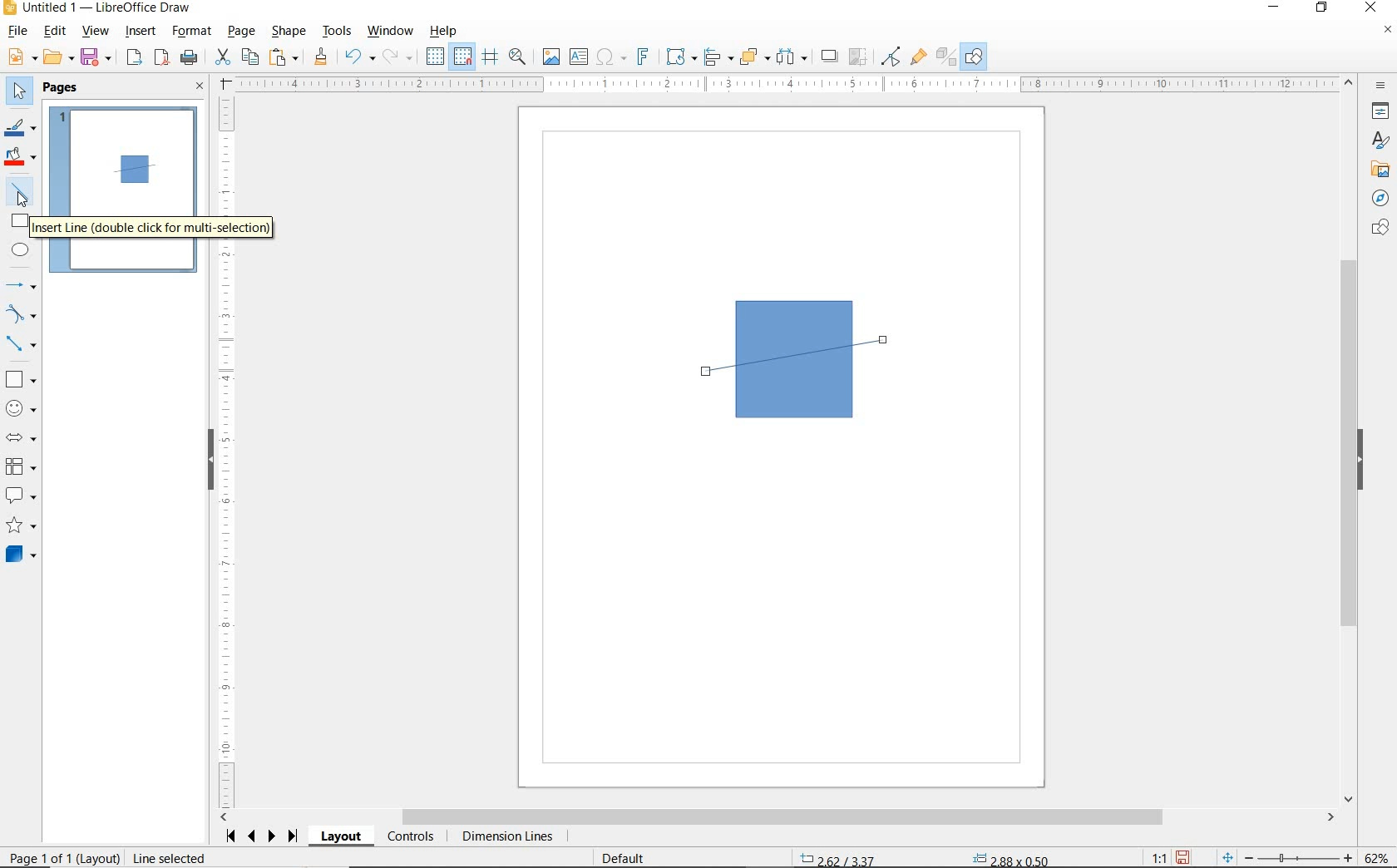  I want to click on SCROLLBAR, so click(777, 817).